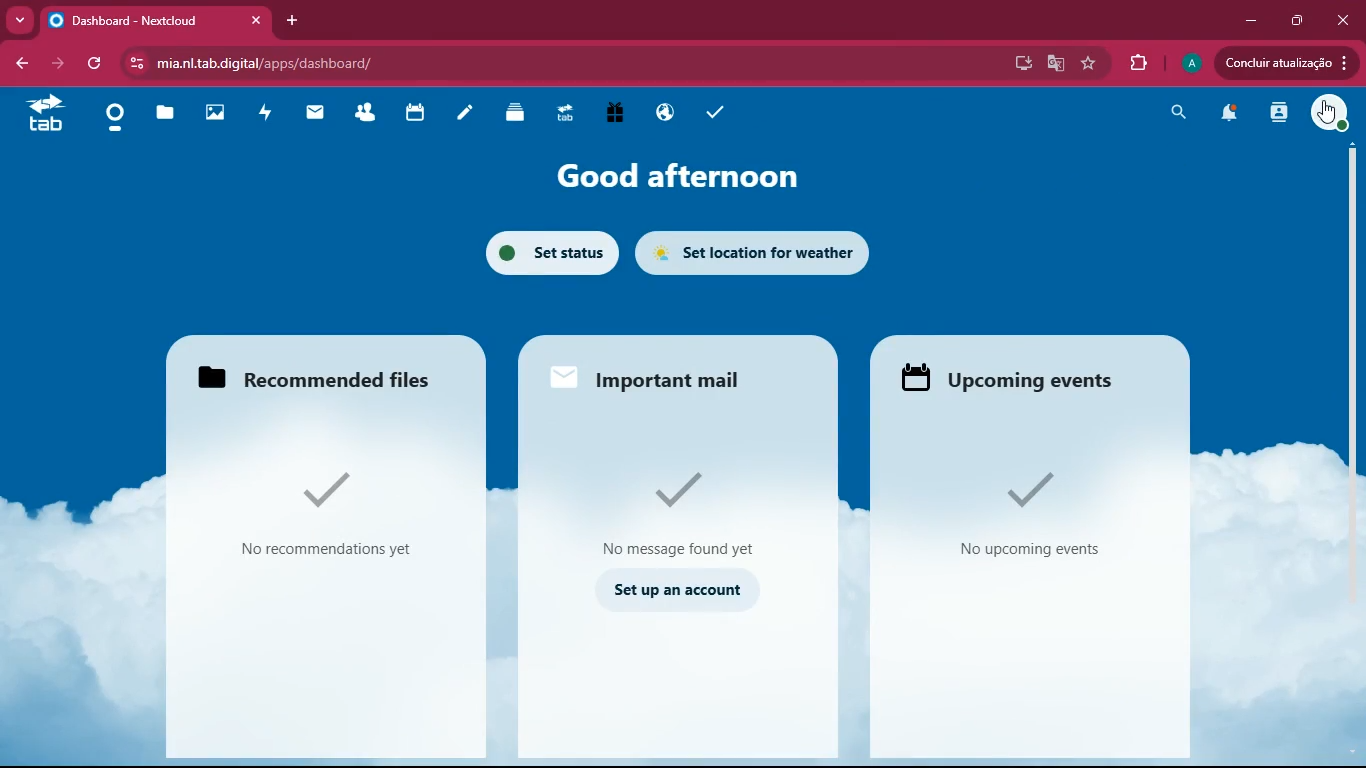 Image resolution: width=1366 pixels, height=768 pixels. Describe the element at coordinates (259, 22) in the screenshot. I see `close tab` at that location.